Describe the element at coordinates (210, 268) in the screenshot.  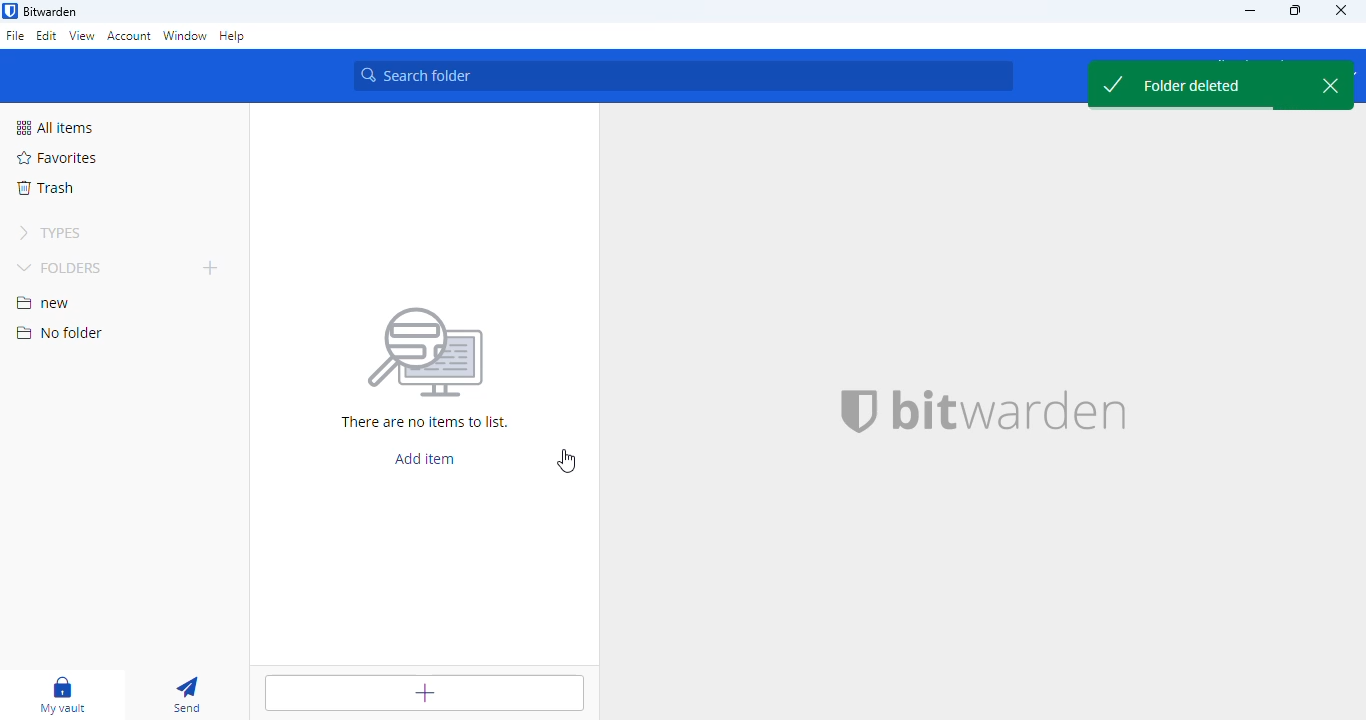
I see `add folder` at that location.